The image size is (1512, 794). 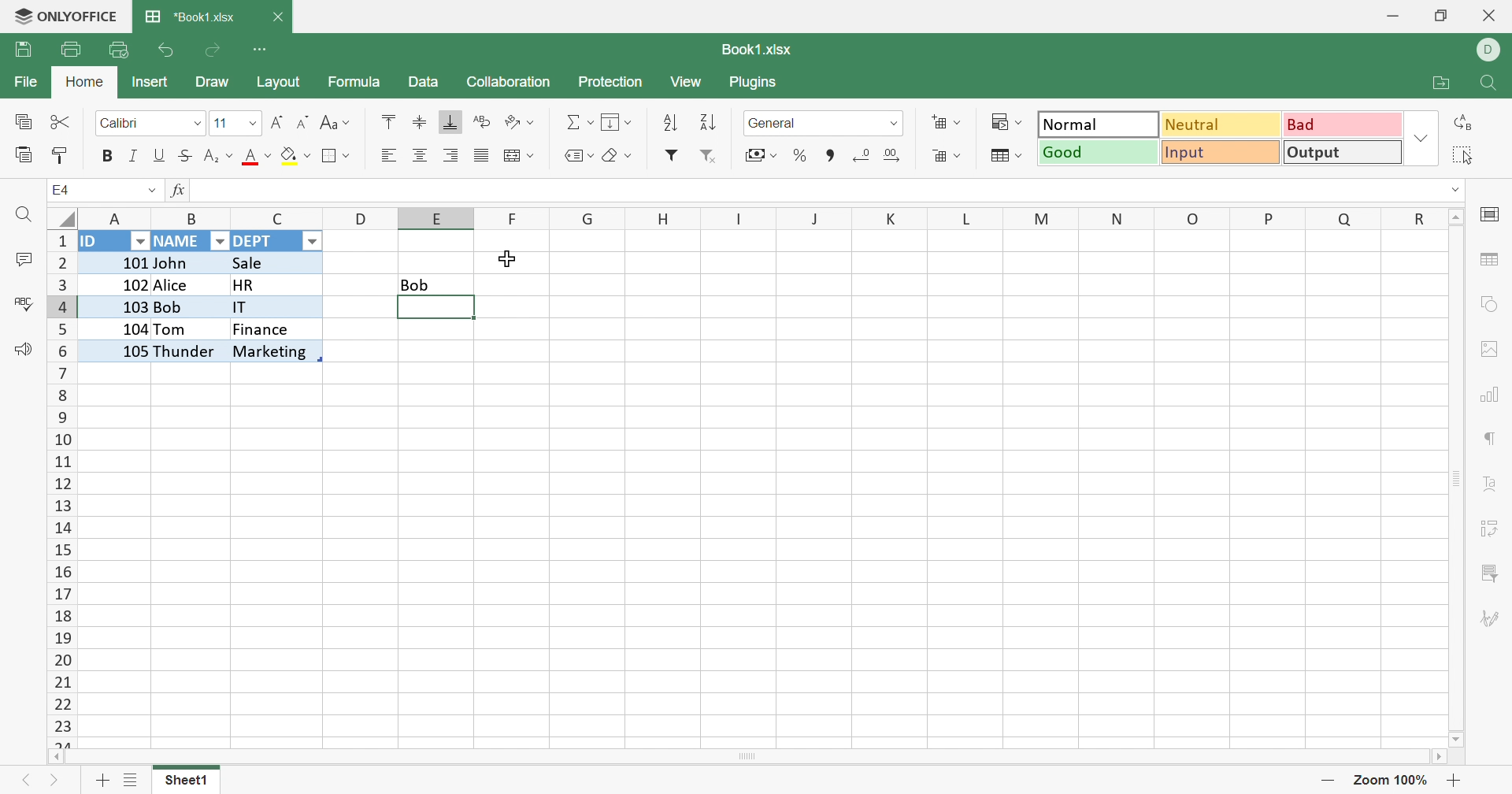 What do you see at coordinates (187, 781) in the screenshot?
I see `Sheet1` at bounding box center [187, 781].